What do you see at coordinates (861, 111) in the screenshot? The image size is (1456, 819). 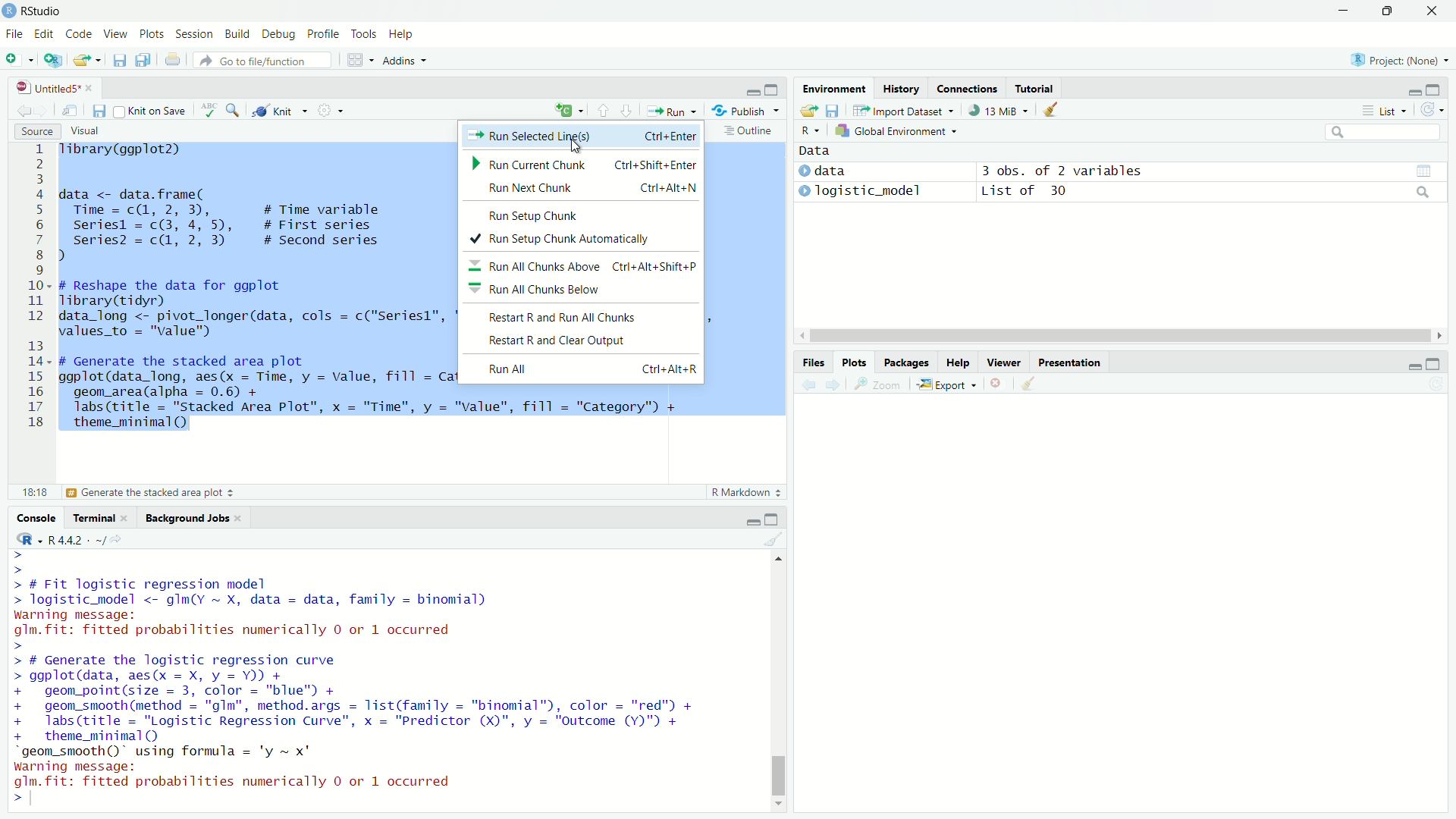 I see `move` at bounding box center [861, 111].